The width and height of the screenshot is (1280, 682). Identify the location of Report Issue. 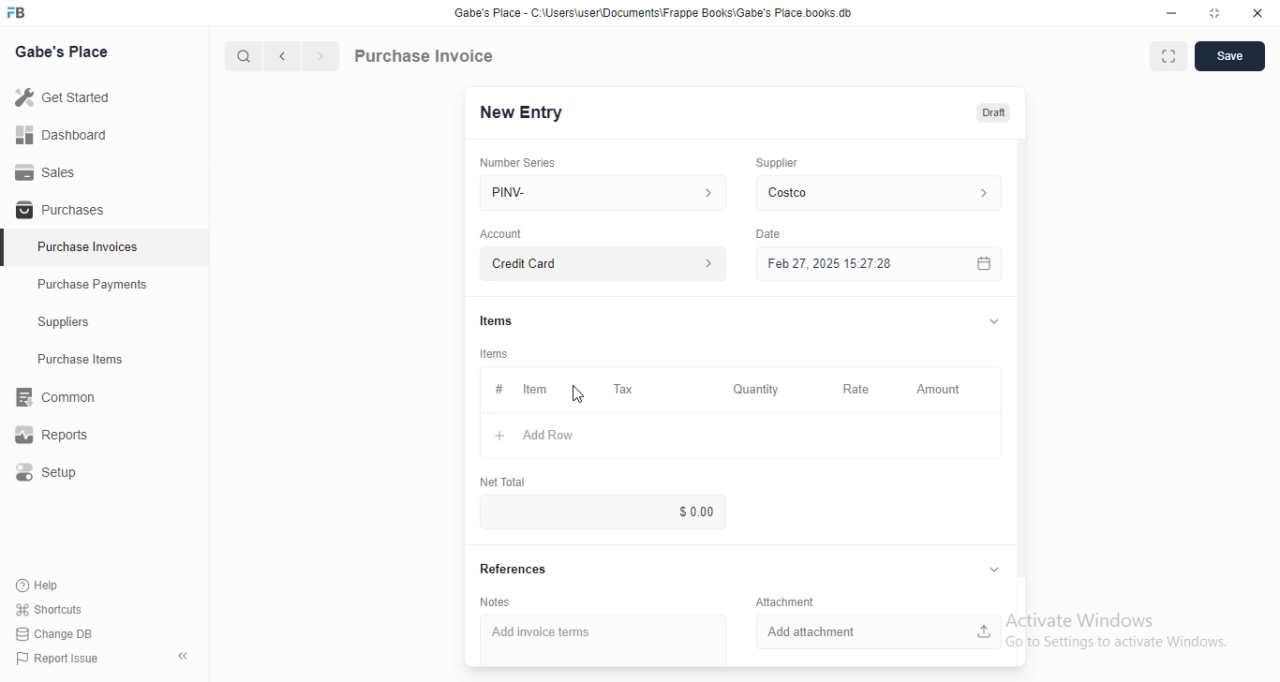
(58, 658).